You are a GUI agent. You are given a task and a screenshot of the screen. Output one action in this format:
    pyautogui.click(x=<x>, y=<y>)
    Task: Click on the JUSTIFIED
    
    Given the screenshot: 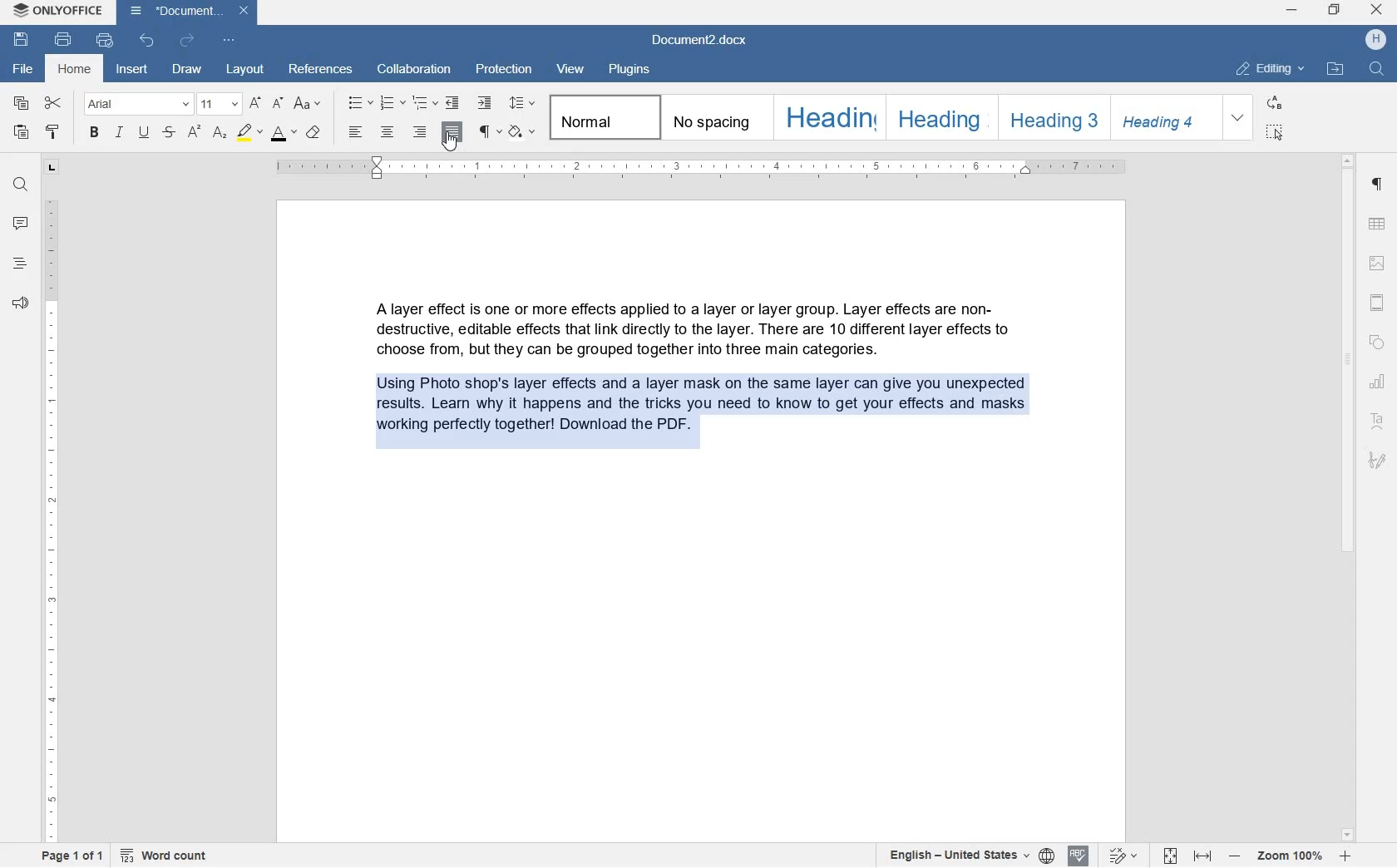 What is the action you would take?
    pyautogui.click(x=452, y=133)
    